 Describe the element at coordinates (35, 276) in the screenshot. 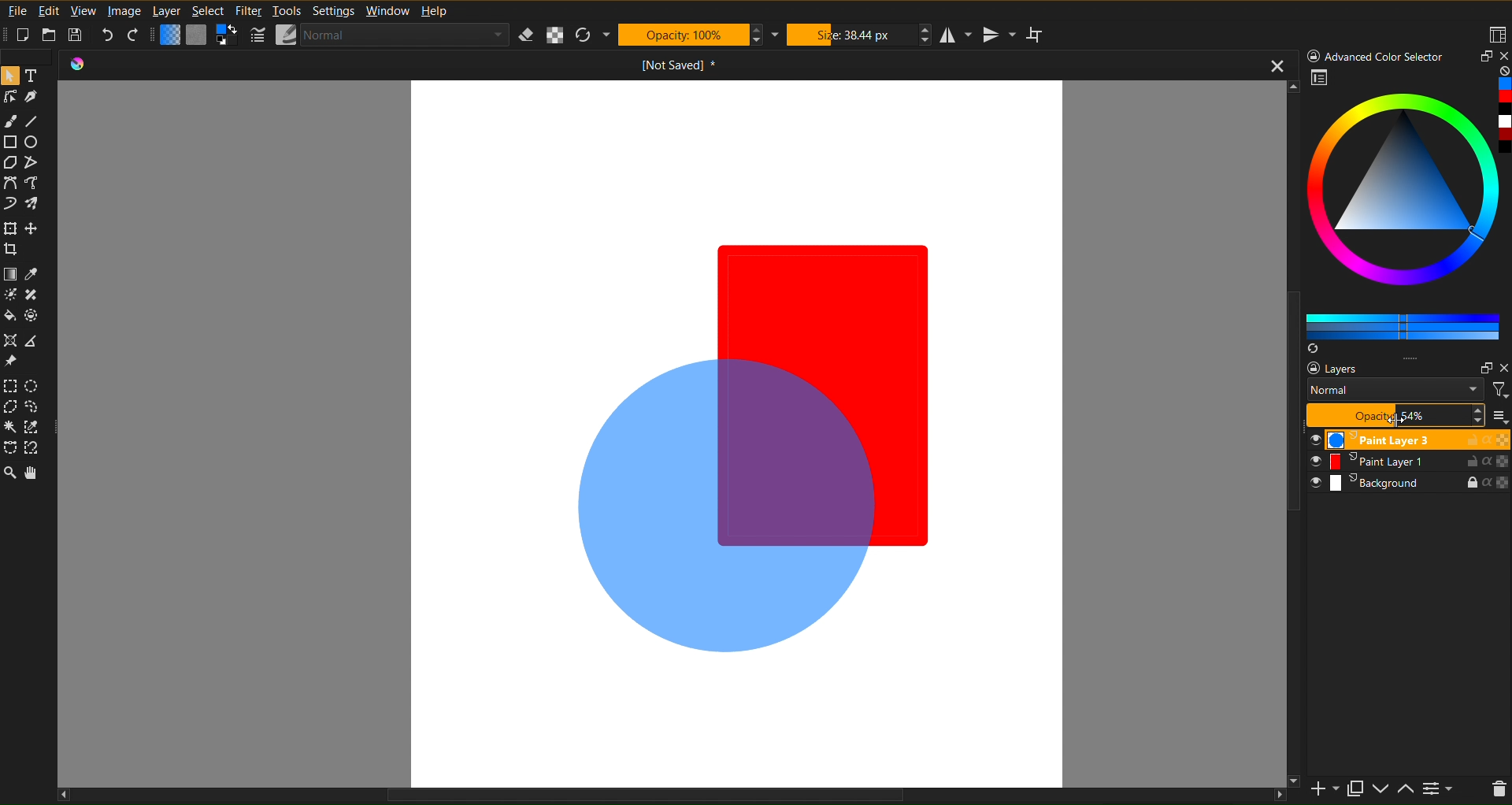

I see `Color Tool` at that location.